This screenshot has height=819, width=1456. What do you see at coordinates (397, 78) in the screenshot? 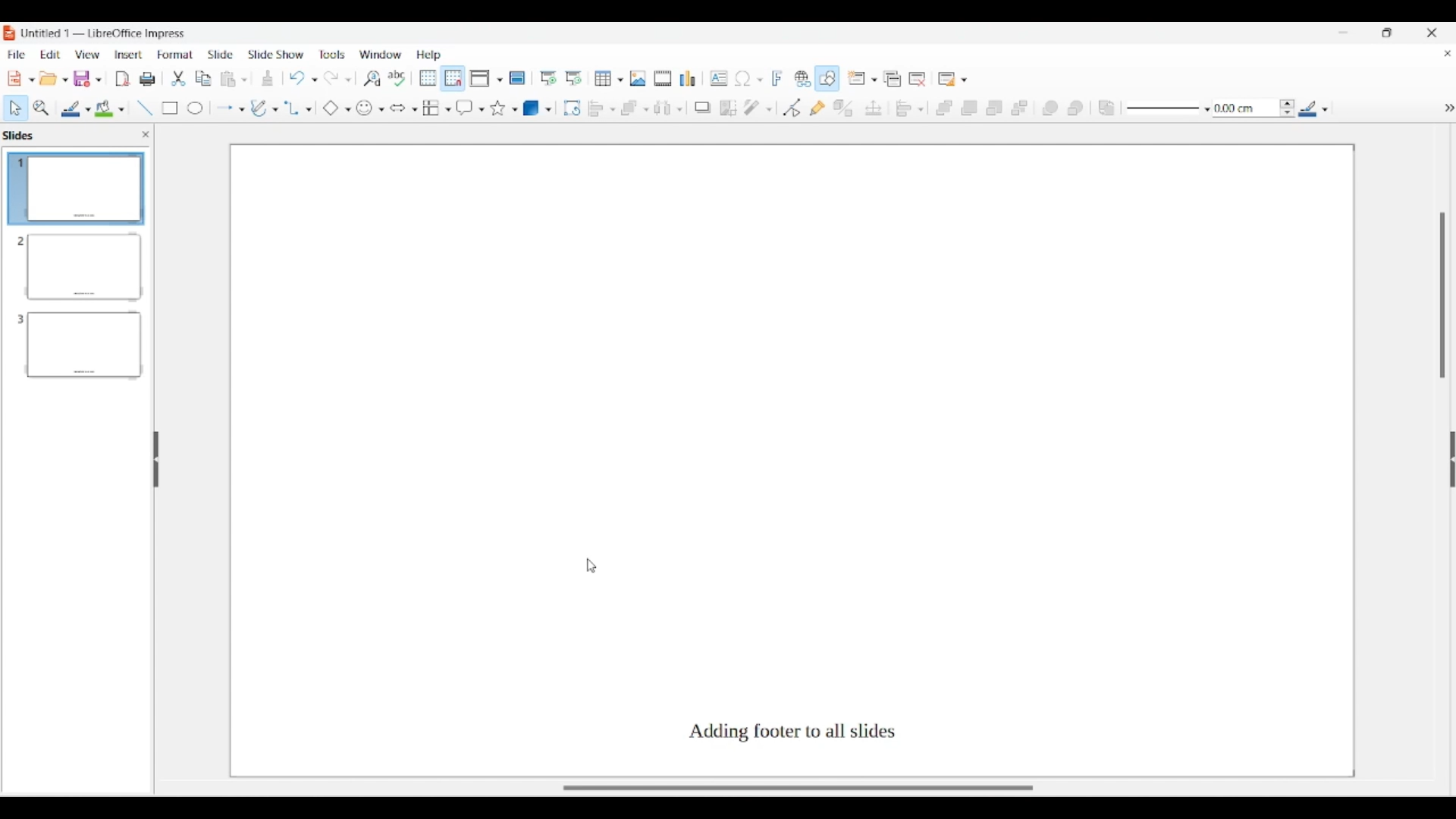
I see `Spell check` at bounding box center [397, 78].